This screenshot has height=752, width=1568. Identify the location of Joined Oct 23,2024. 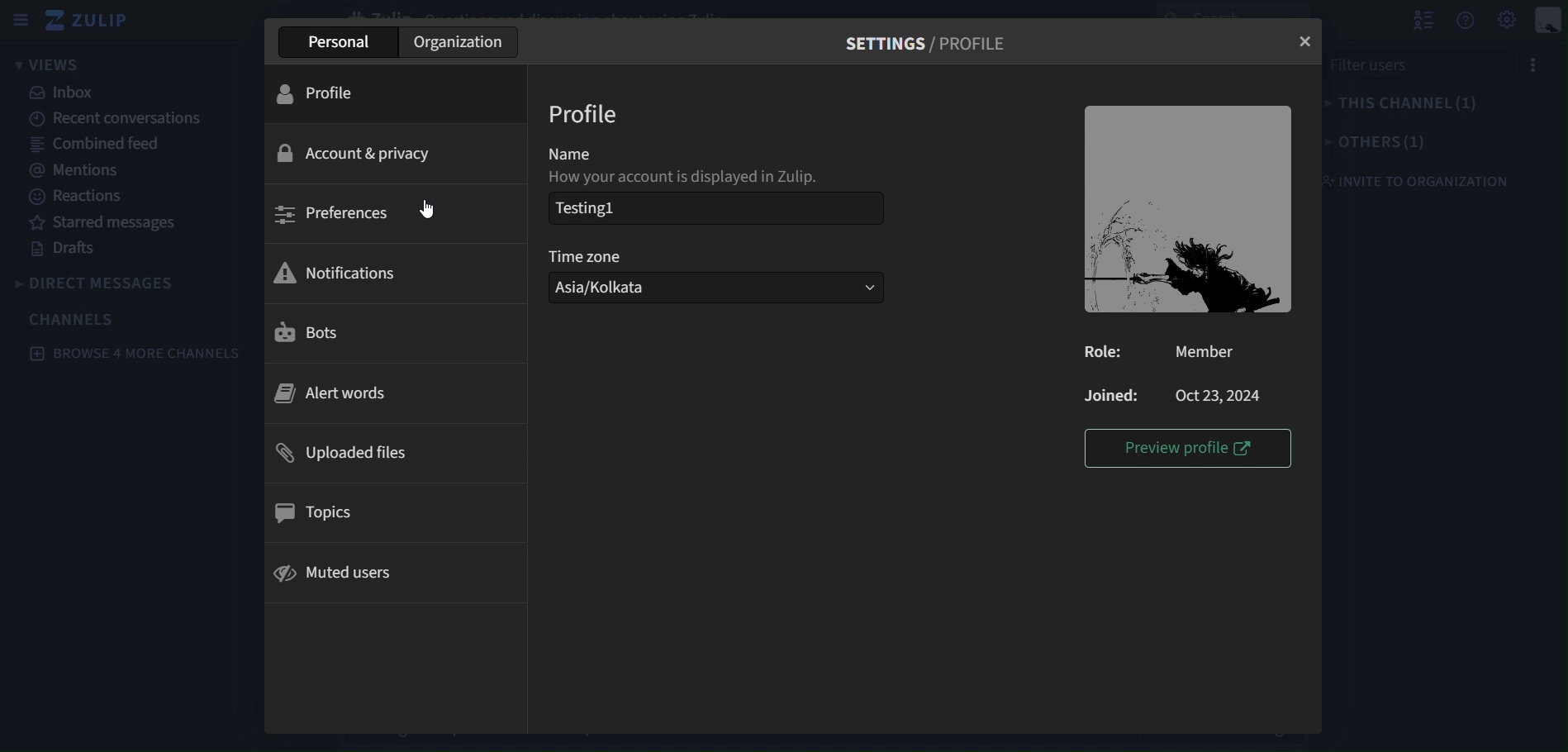
(1170, 394).